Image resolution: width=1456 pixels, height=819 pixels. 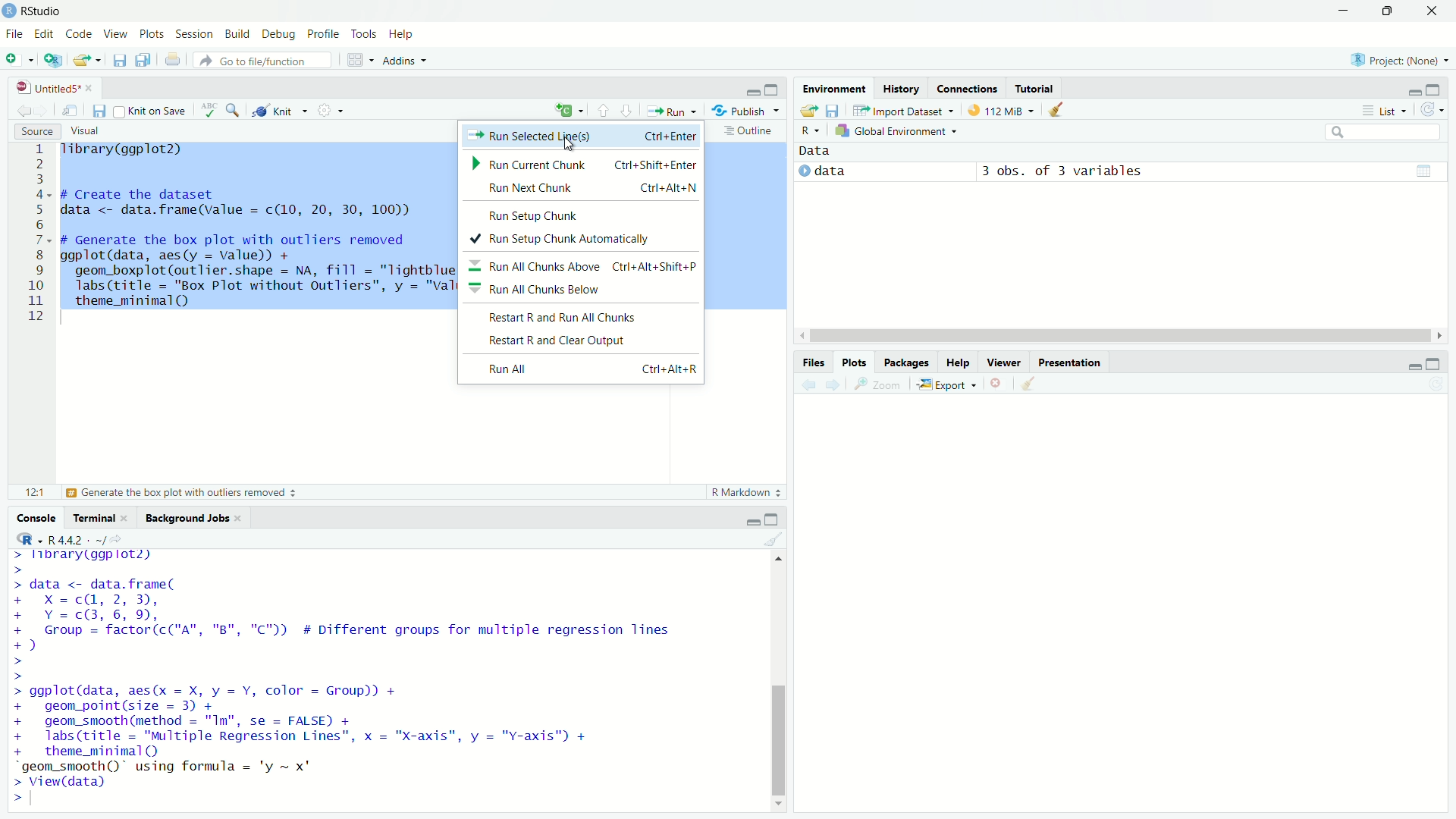 What do you see at coordinates (79, 34) in the screenshot?
I see `Code` at bounding box center [79, 34].